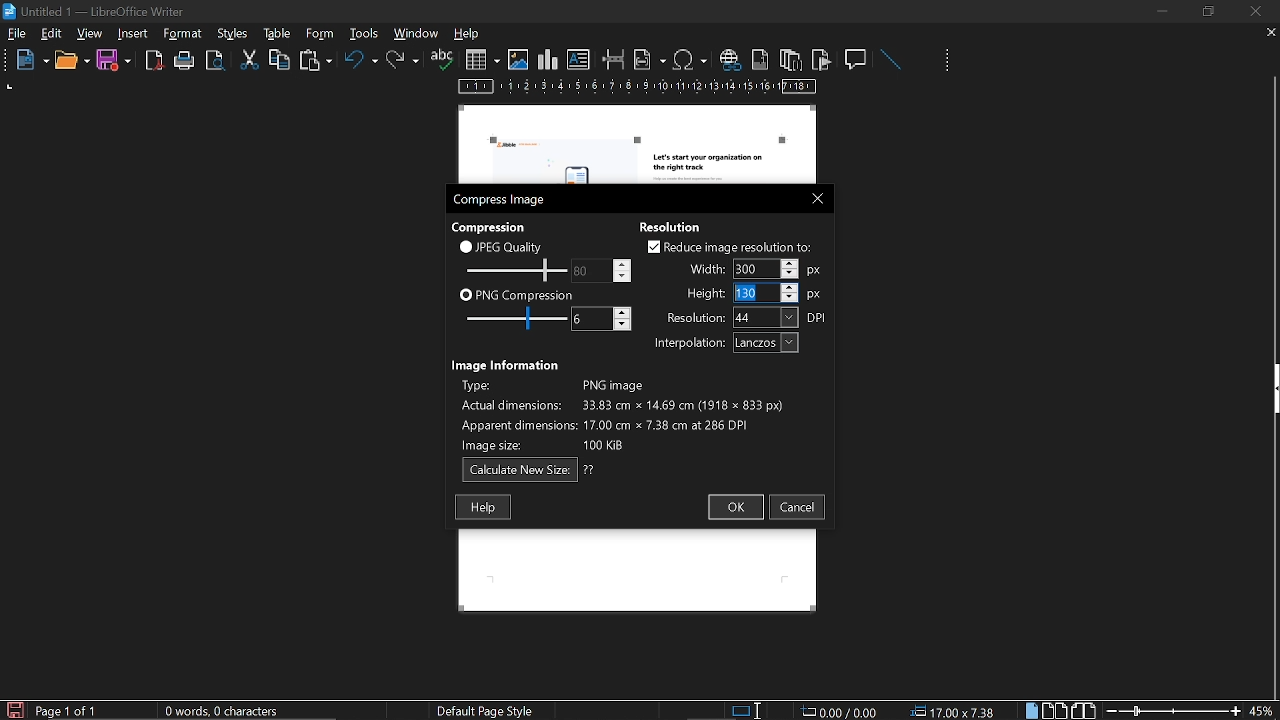 This screenshot has height=720, width=1280. What do you see at coordinates (91, 33) in the screenshot?
I see `view` at bounding box center [91, 33].